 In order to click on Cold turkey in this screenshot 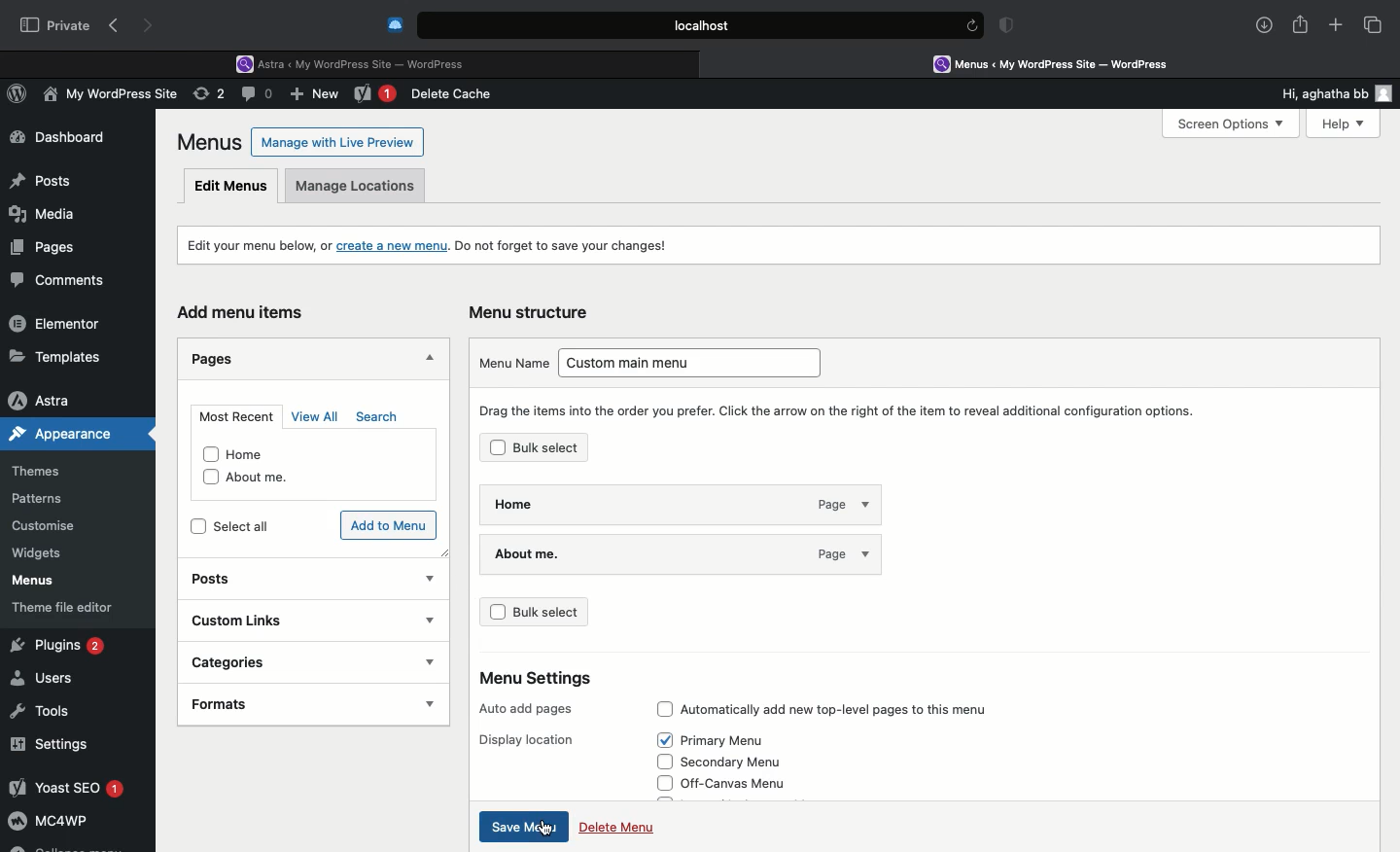, I will do `click(396, 25)`.